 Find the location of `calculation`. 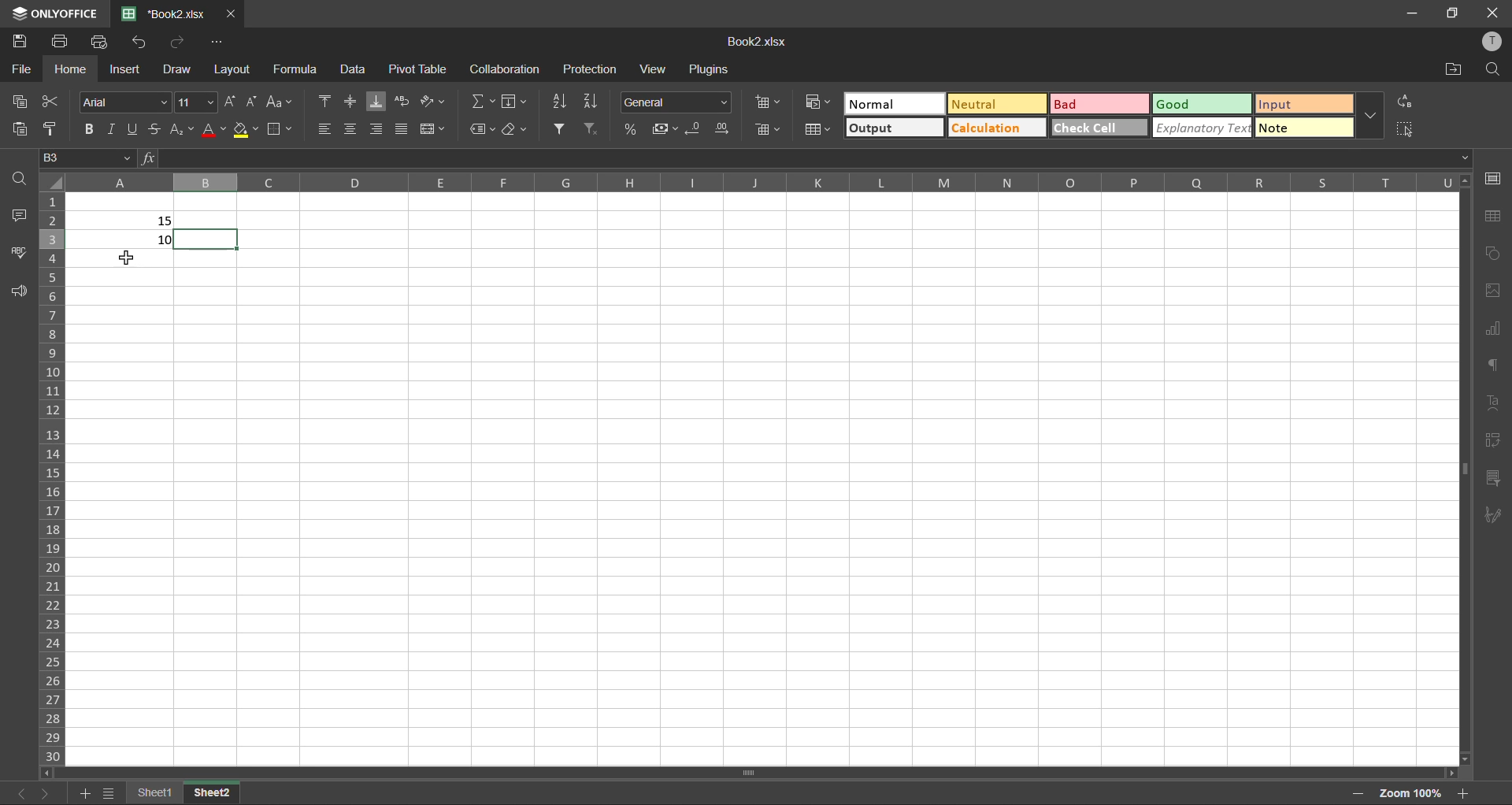

calculation is located at coordinates (995, 127).